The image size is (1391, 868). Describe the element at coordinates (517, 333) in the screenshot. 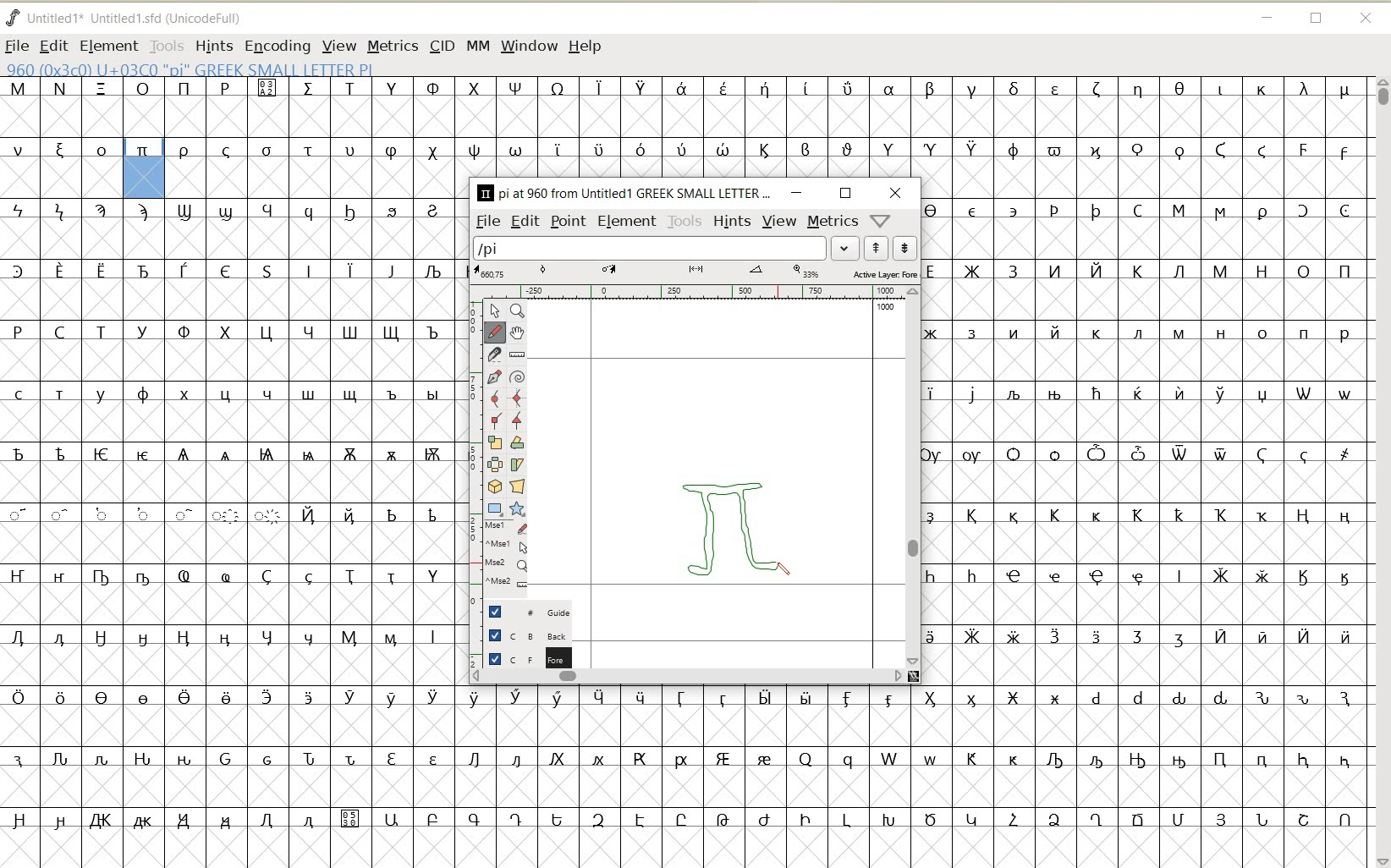

I see `scroll by hand` at that location.